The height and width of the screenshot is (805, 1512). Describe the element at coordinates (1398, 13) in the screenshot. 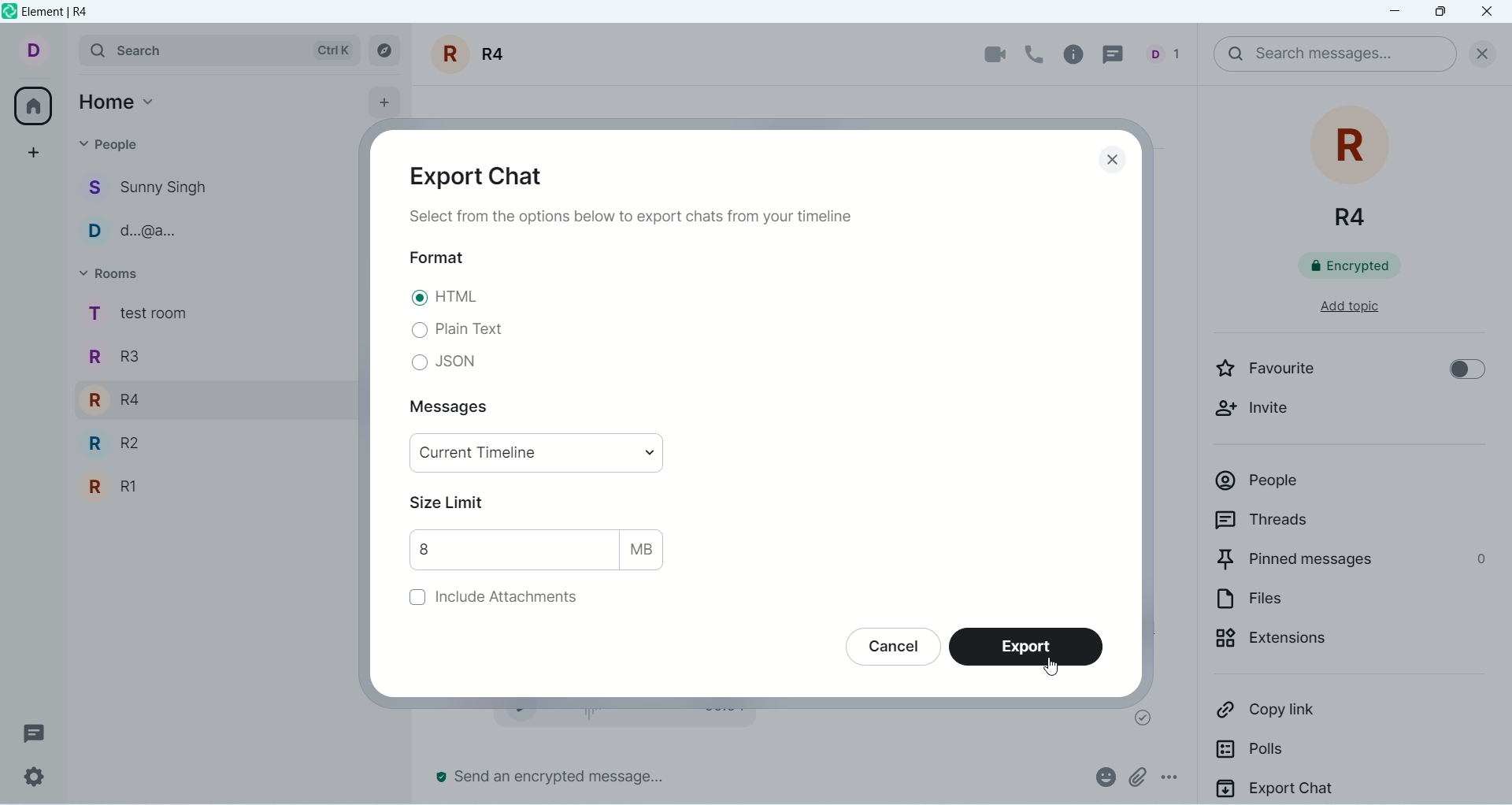

I see `minimize` at that location.